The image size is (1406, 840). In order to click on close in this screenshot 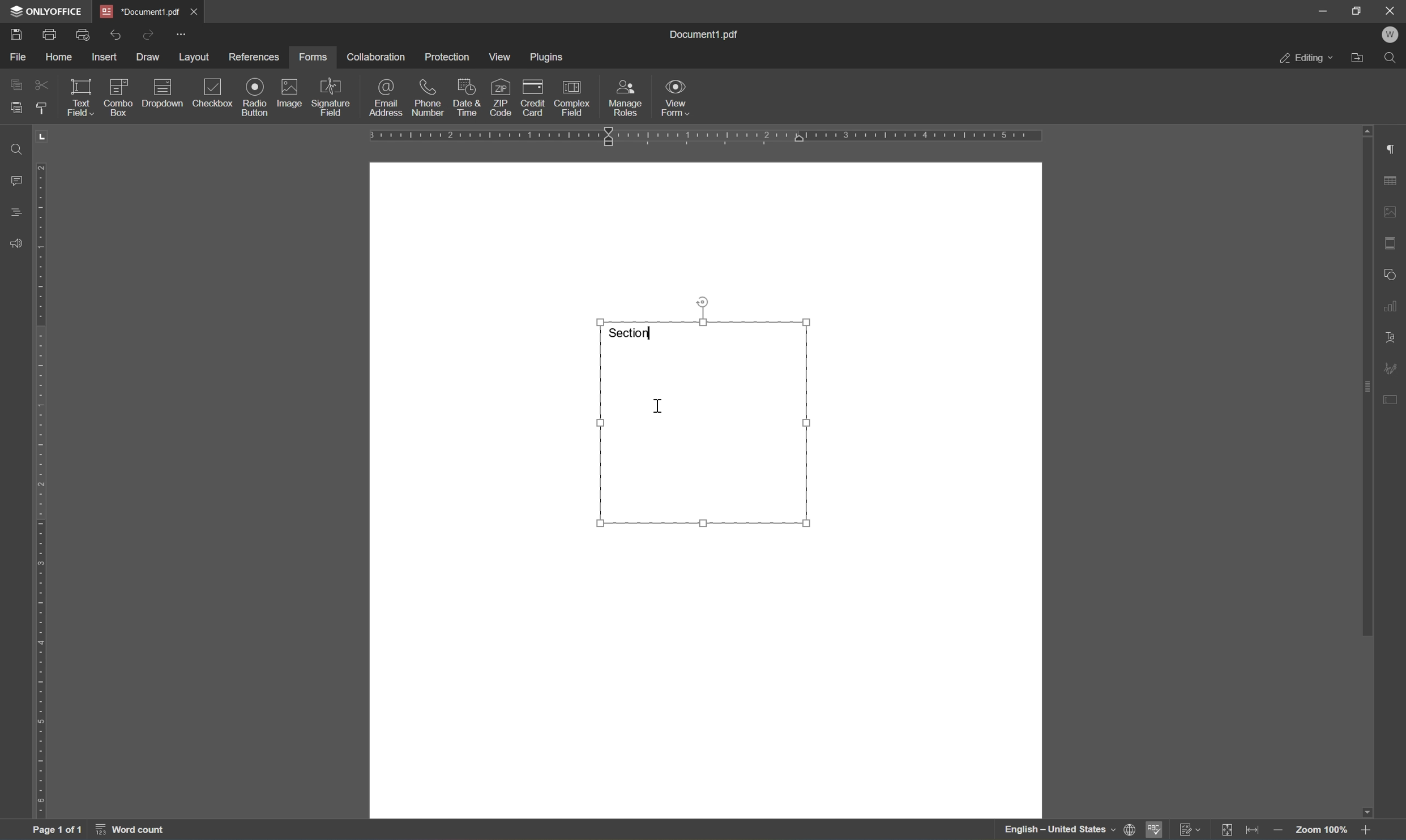, I will do `click(1391, 10)`.